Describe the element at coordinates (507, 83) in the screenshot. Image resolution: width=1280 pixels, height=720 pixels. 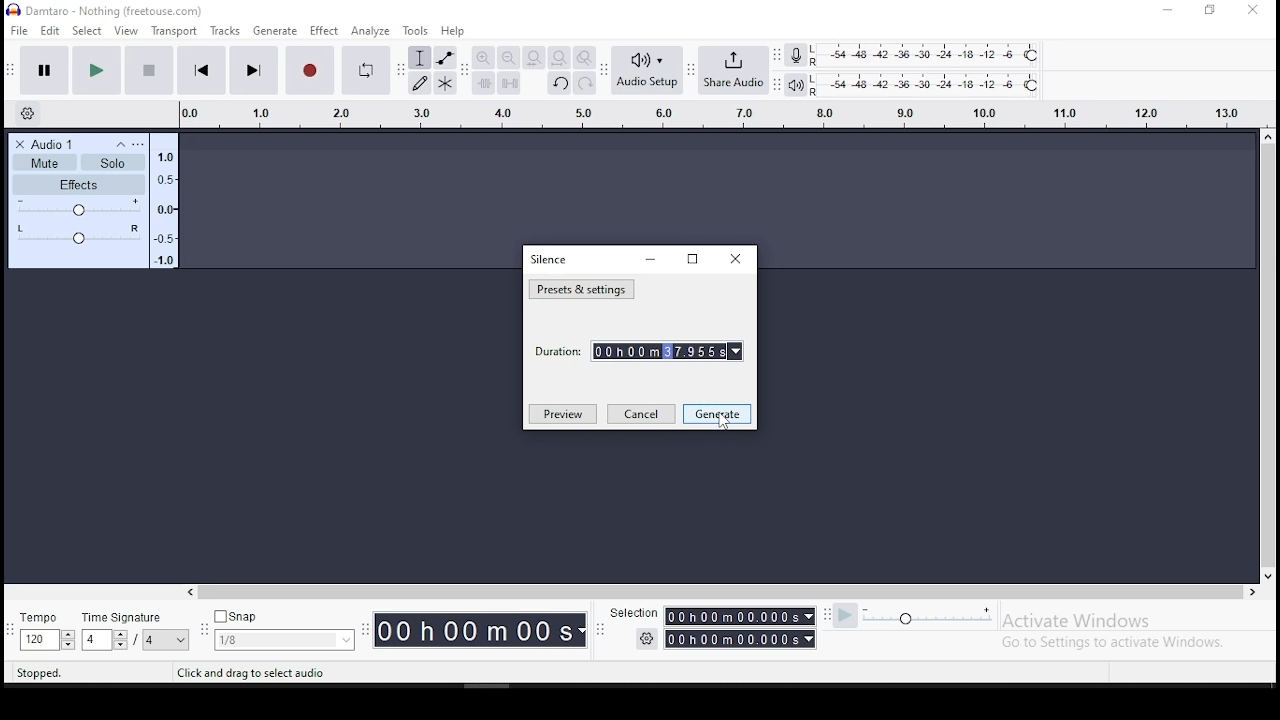
I see `silence audio signal` at that location.